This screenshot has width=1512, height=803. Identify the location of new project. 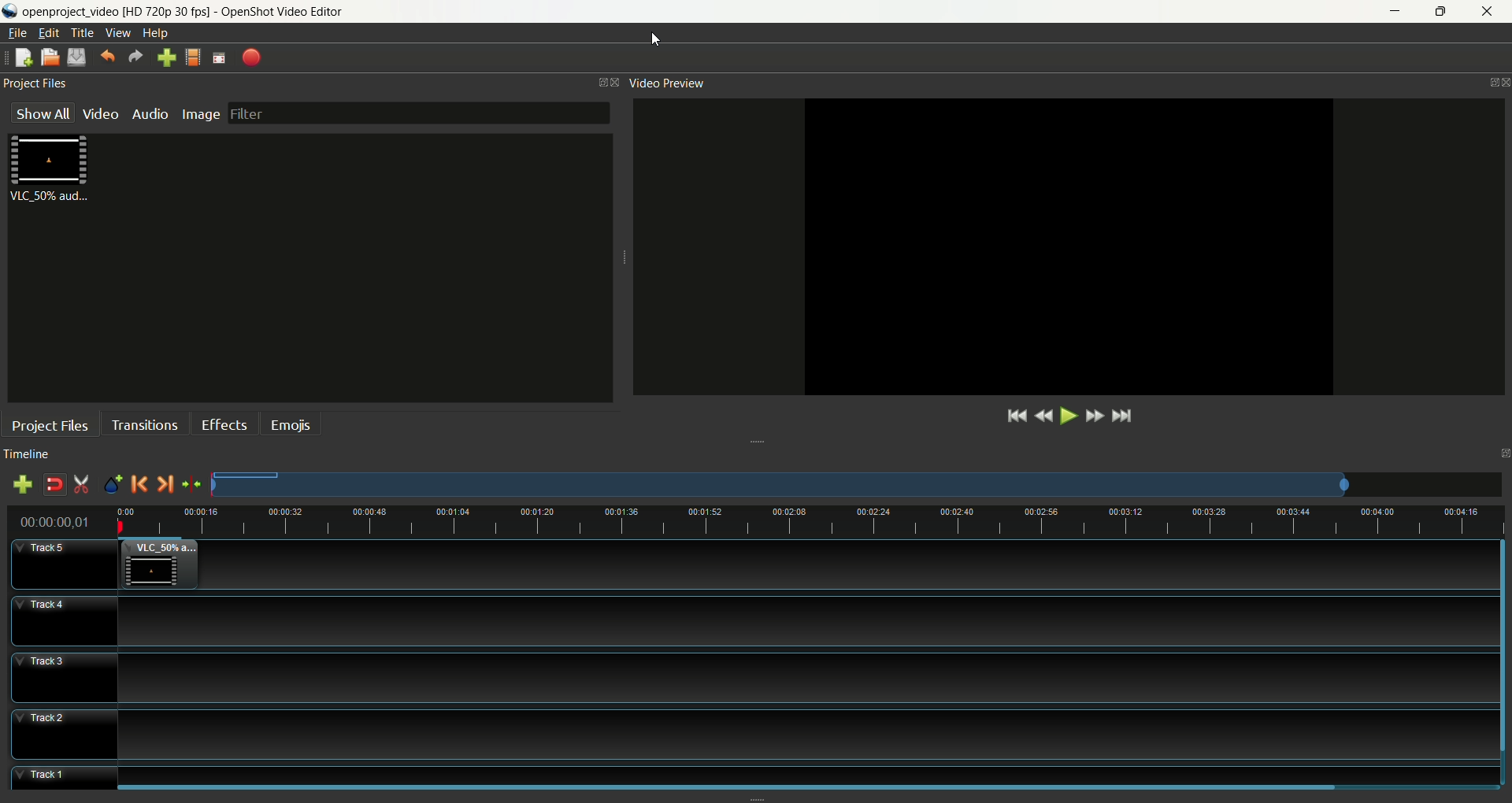
(20, 58).